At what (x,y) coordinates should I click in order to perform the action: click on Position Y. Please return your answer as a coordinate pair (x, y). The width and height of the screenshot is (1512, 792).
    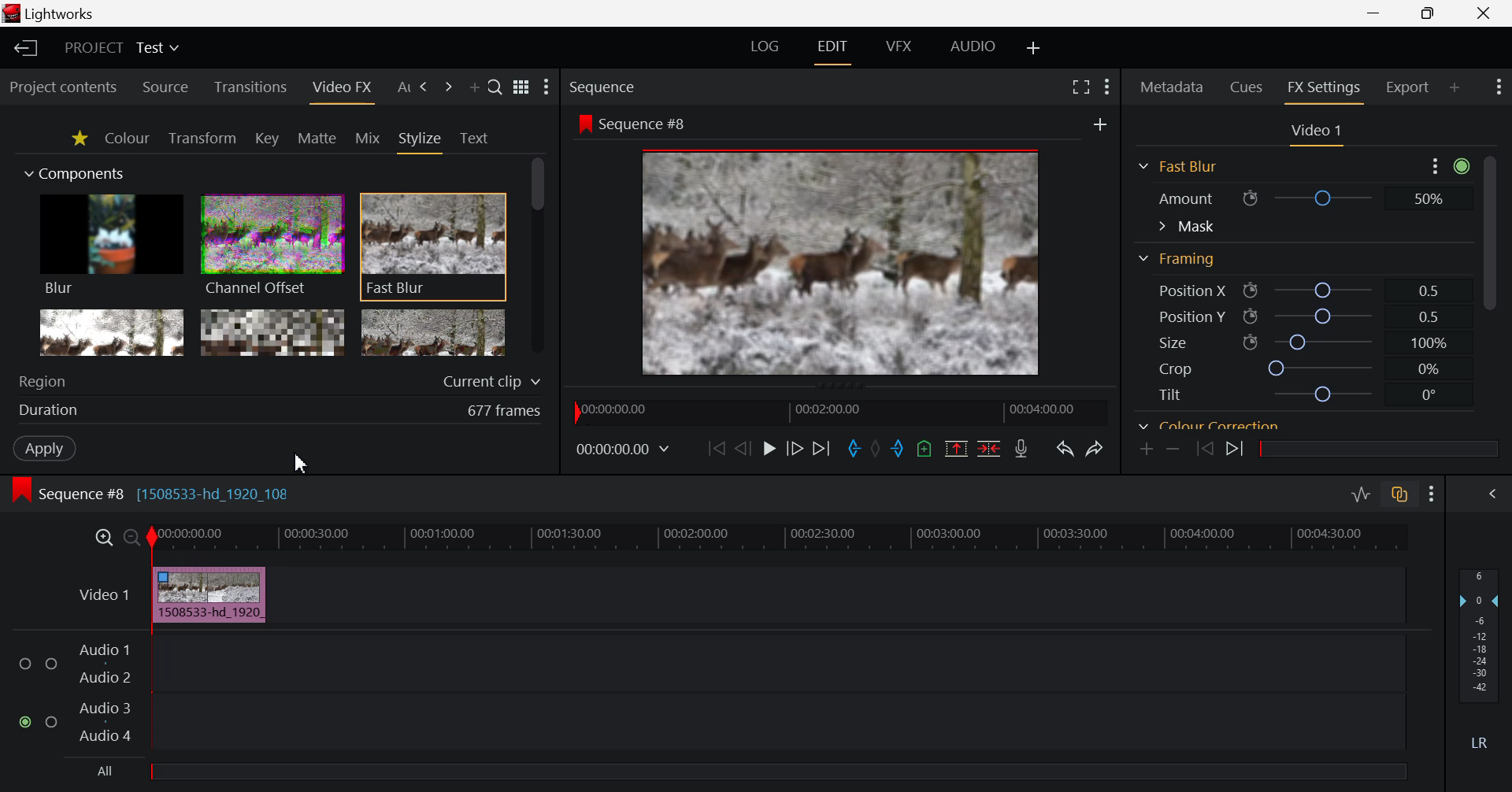
    Looking at the image, I should click on (1303, 313).